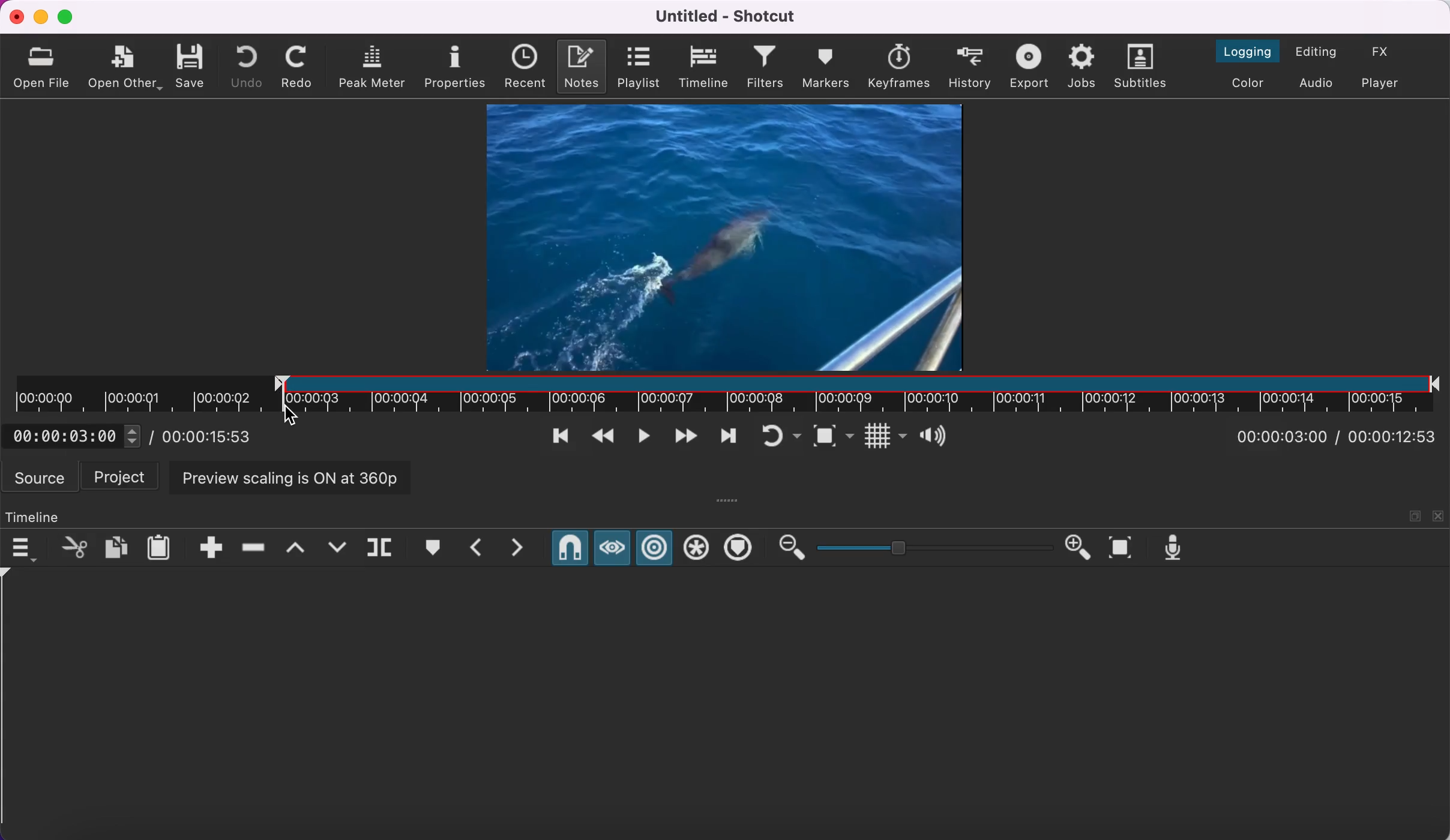  I want to click on toggle play or pause, so click(640, 439).